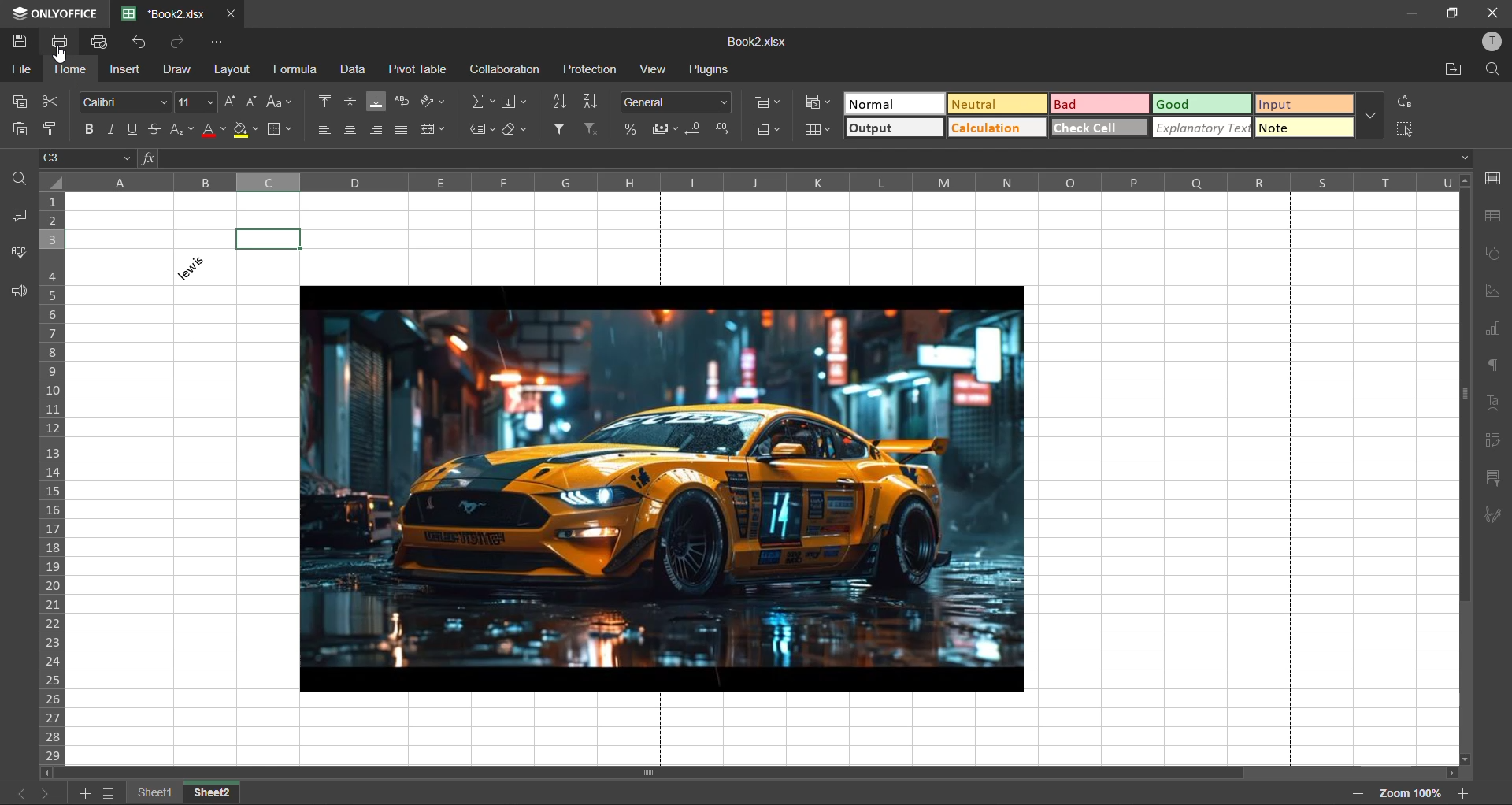 The height and width of the screenshot is (805, 1512). Describe the element at coordinates (62, 58) in the screenshot. I see `cursor` at that location.